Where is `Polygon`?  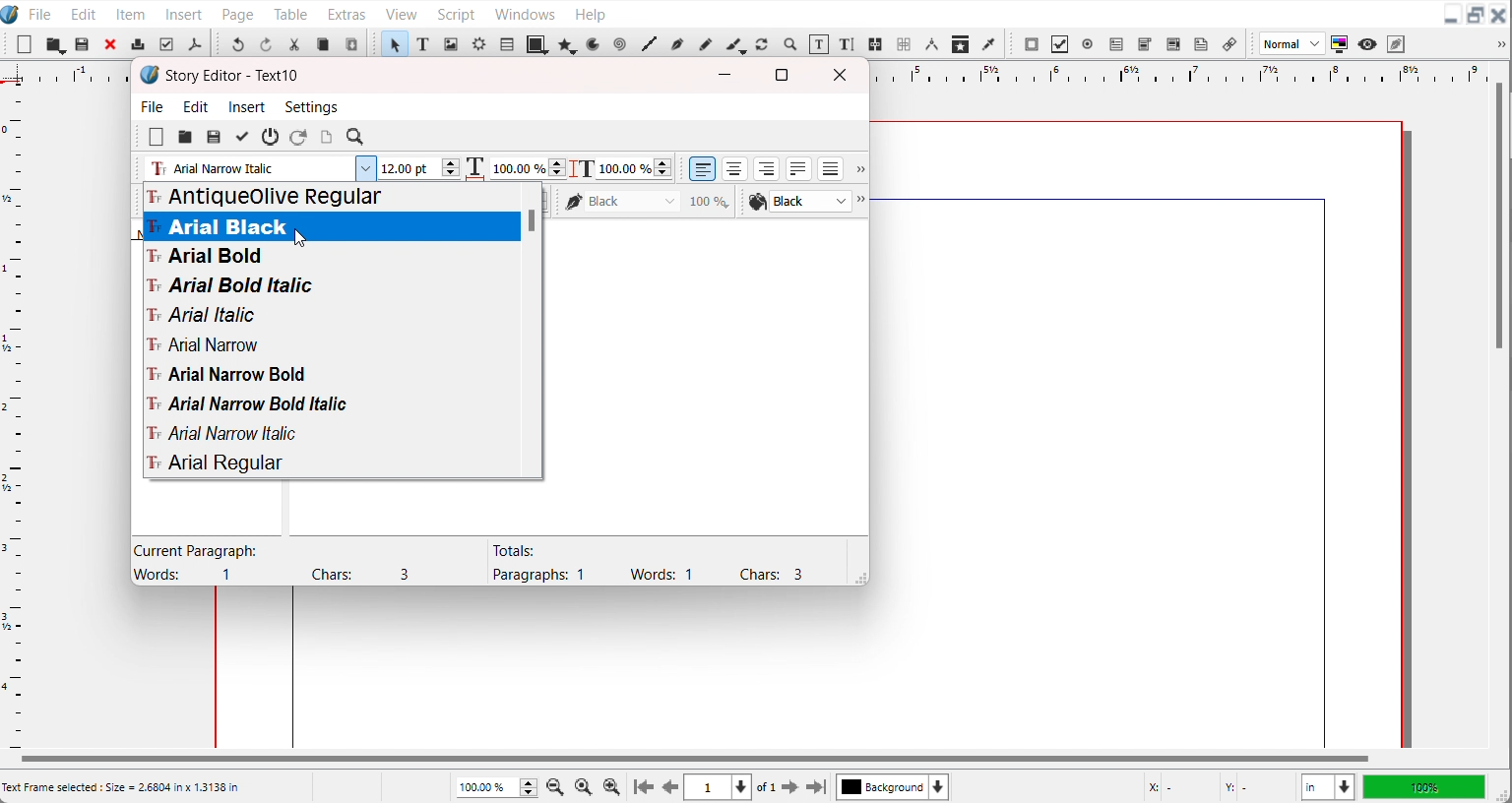
Polygon is located at coordinates (568, 44).